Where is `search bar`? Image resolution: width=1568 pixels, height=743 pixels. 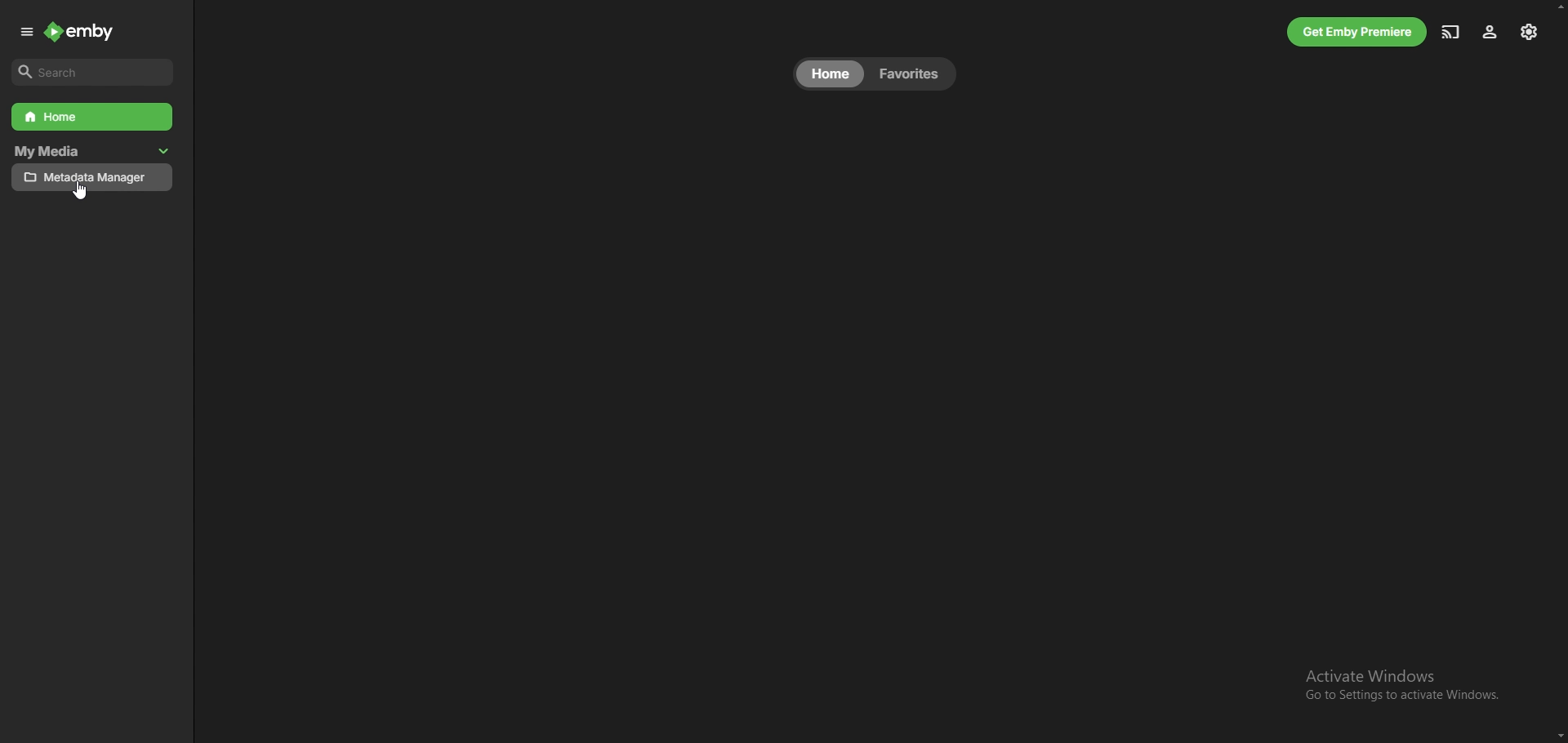 search bar is located at coordinates (93, 73).